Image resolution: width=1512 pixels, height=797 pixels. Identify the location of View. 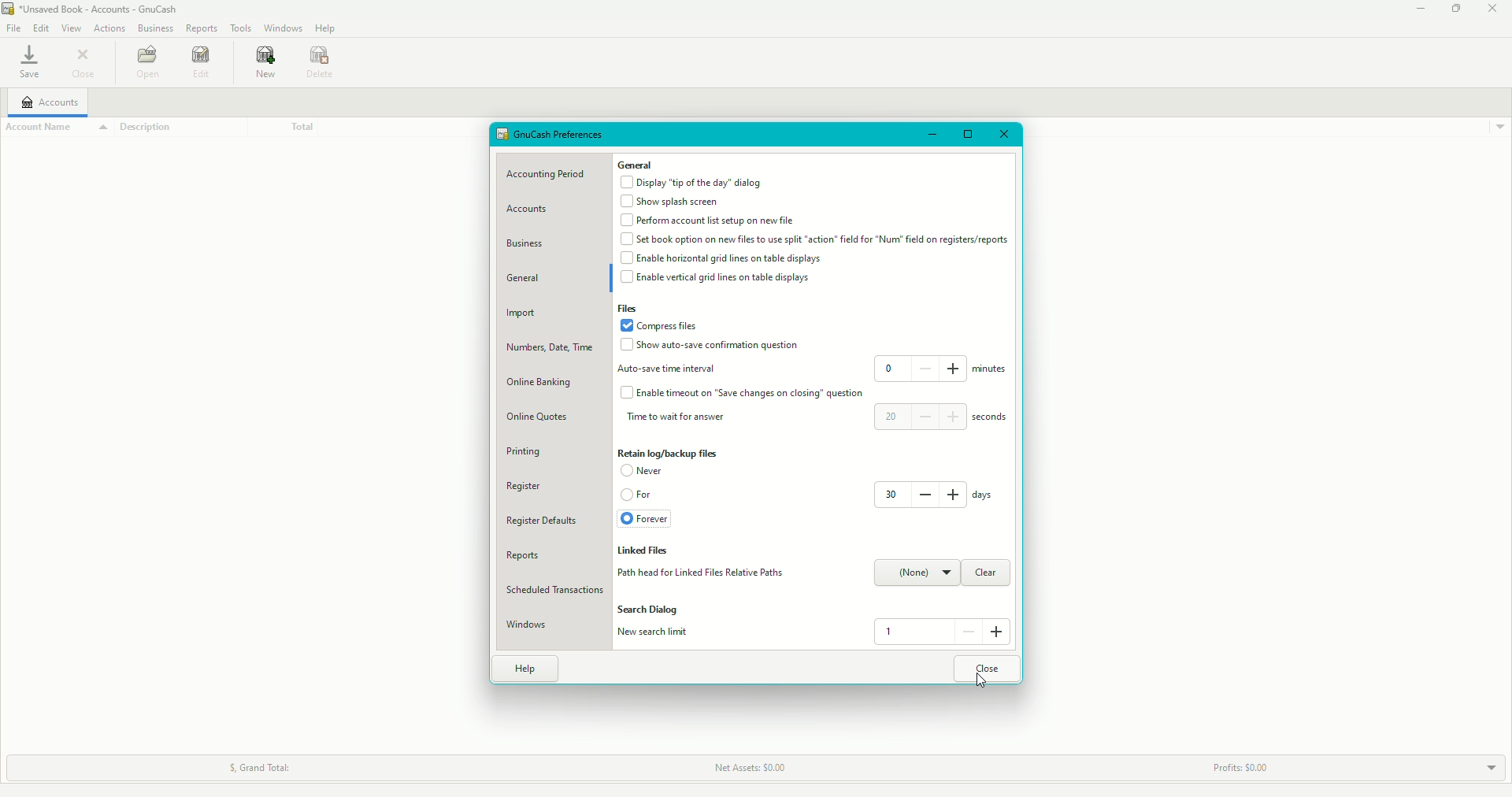
(69, 28).